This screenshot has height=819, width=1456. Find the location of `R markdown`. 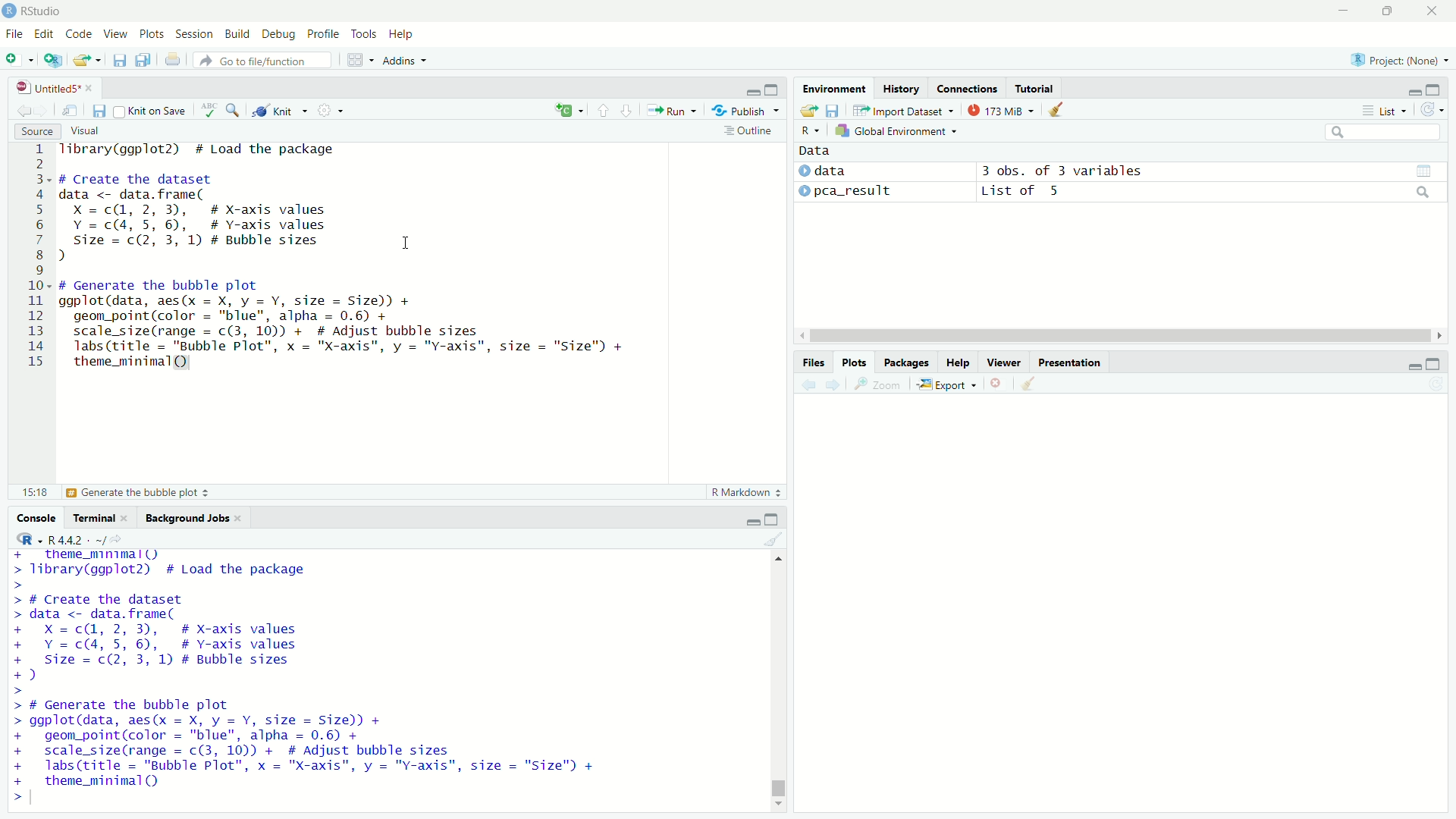

R markdown is located at coordinates (747, 492).